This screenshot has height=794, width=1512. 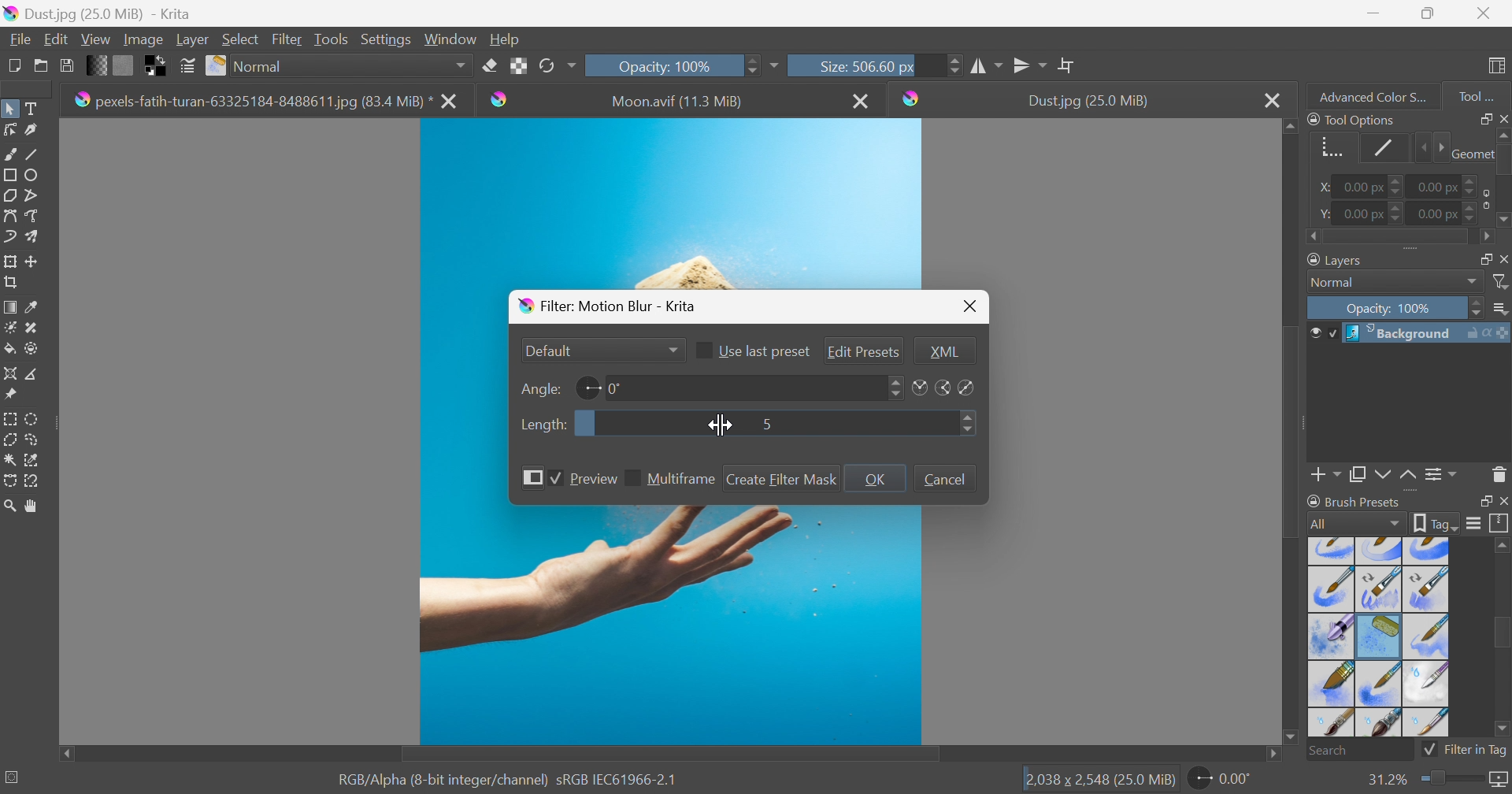 I want to click on Cursor, so click(x=717, y=424).